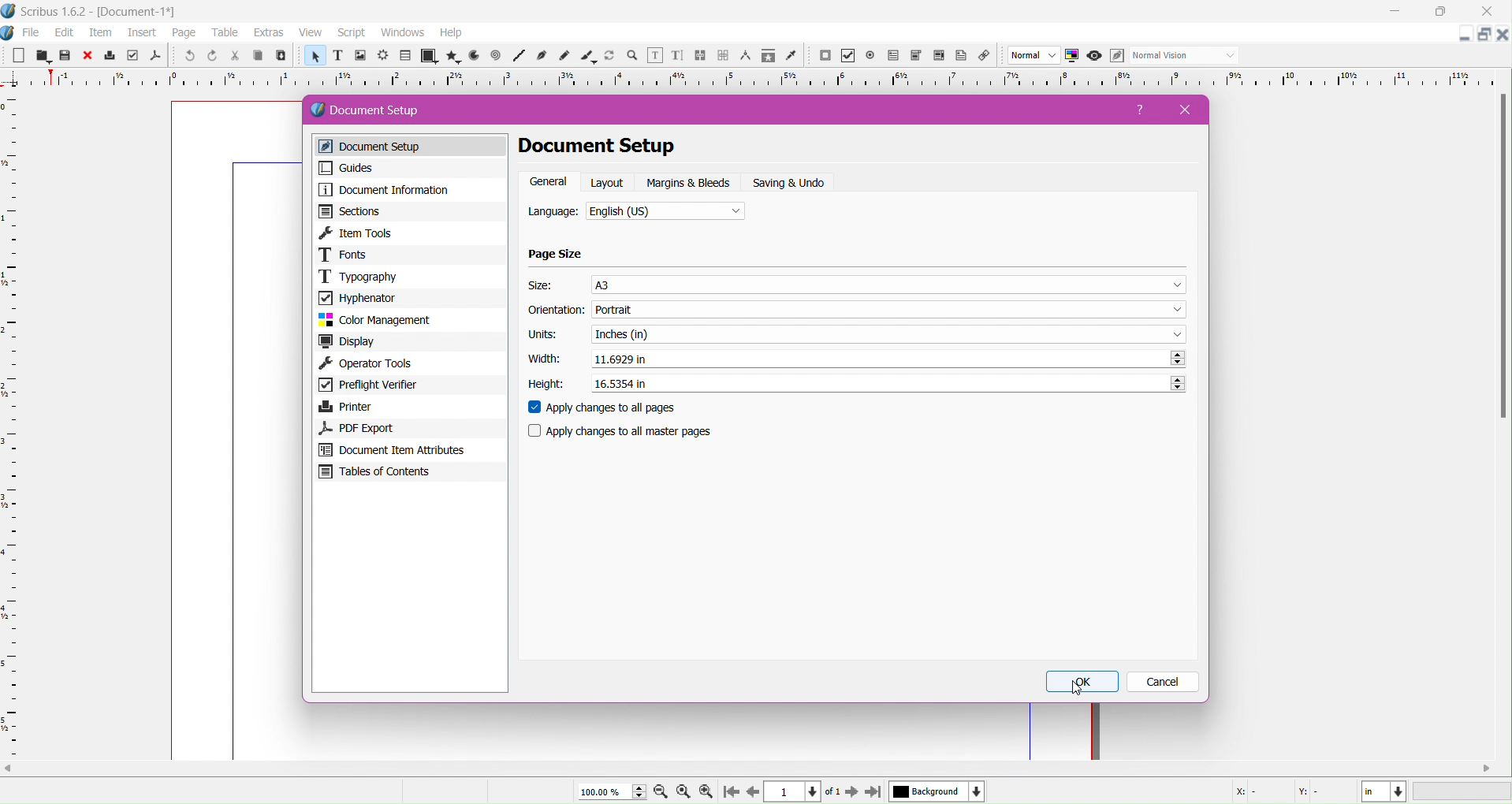 This screenshot has width=1512, height=804. What do you see at coordinates (409, 450) in the screenshot?
I see `Document Item Attributes` at bounding box center [409, 450].